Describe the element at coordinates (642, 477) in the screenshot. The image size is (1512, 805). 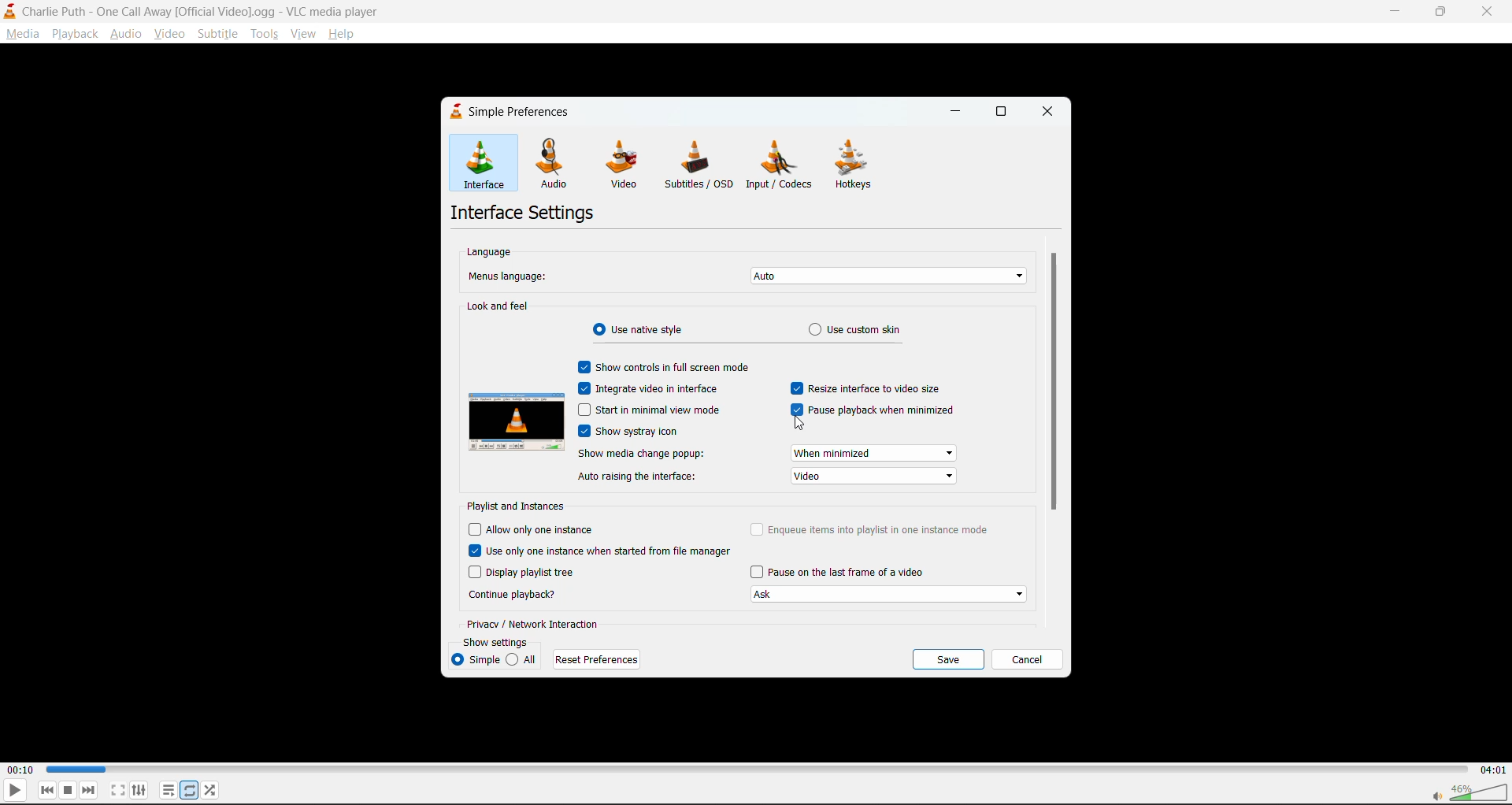
I see `auto raising the interface` at that location.